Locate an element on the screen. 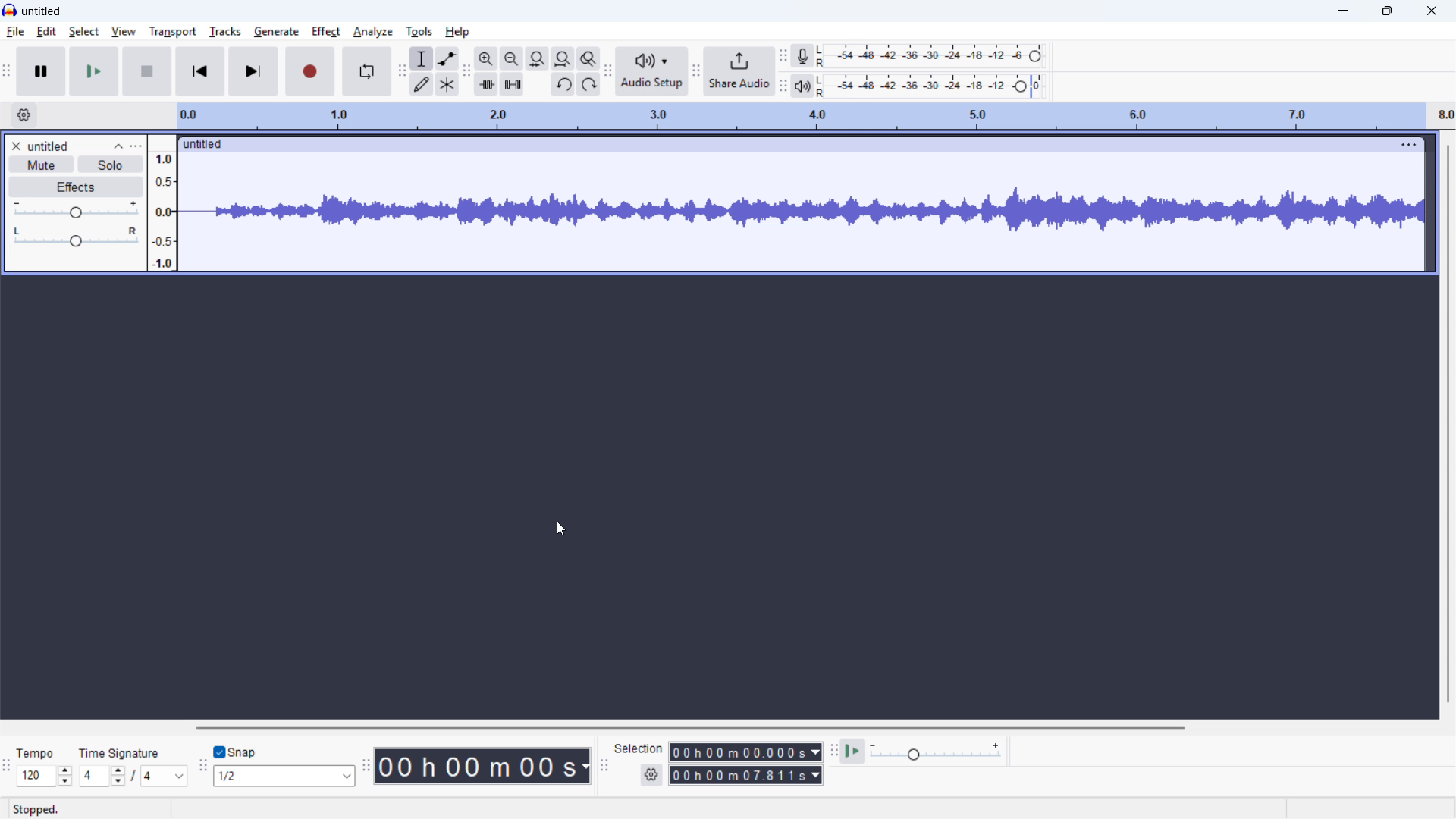  Playback metre toolbar  is located at coordinates (782, 88).